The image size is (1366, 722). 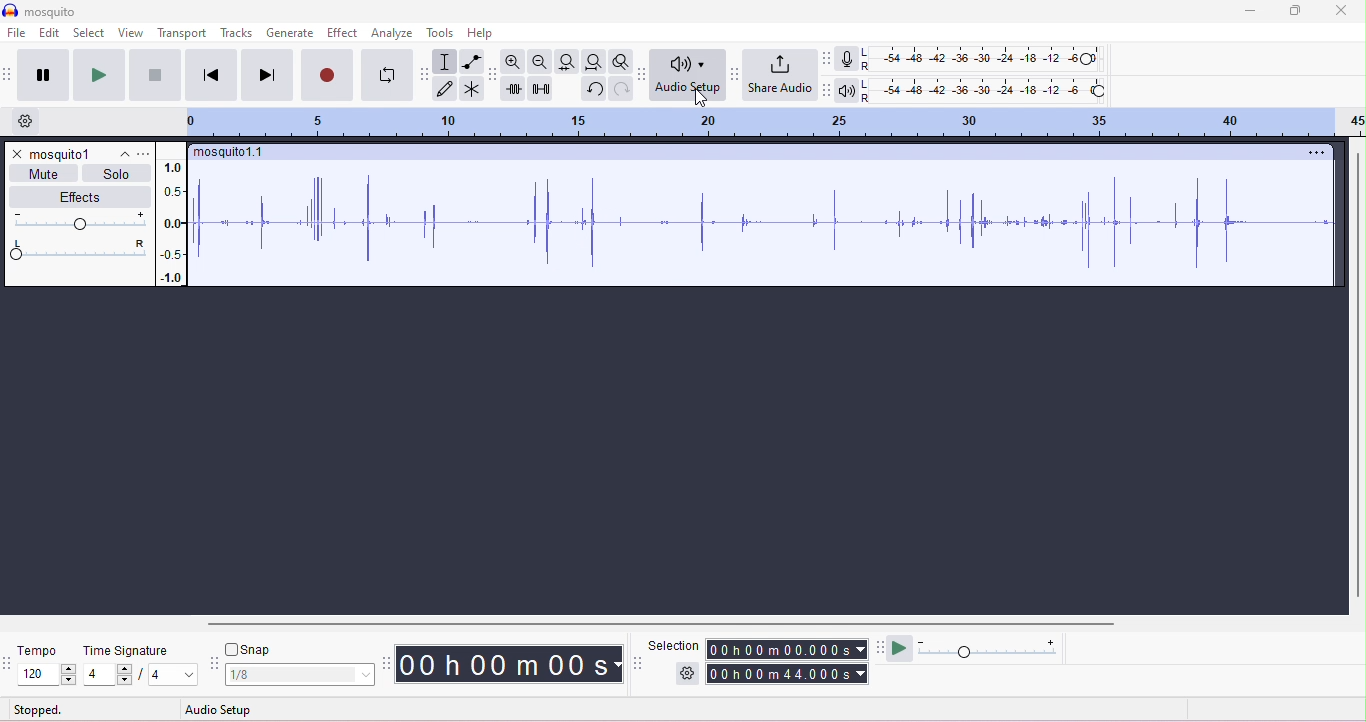 What do you see at coordinates (211, 74) in the screenshot?
I see `previous` at bounding box center [211, 74].